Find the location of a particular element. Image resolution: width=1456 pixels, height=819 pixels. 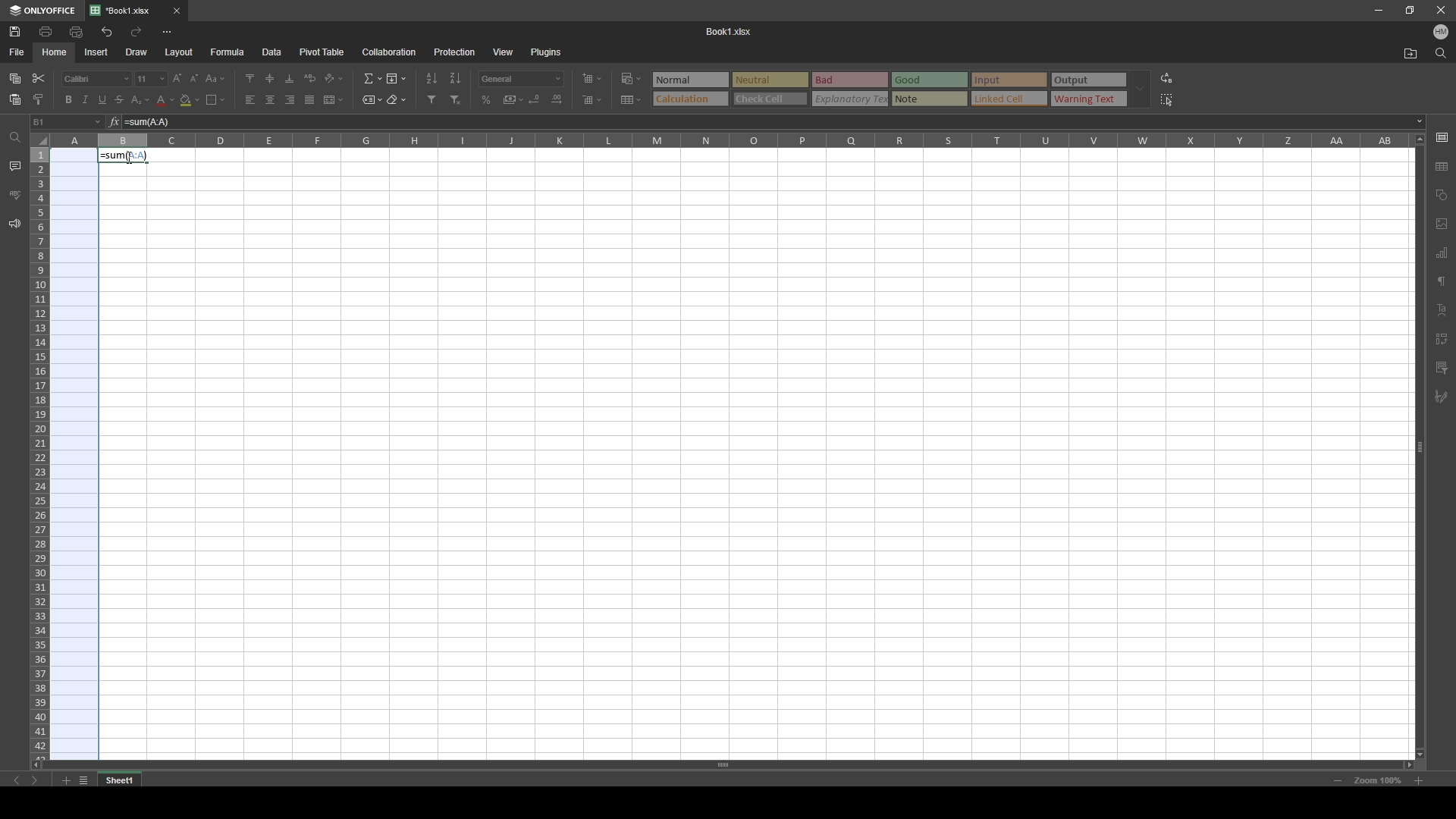

onlyoffice is located at coordinates (42, 11).